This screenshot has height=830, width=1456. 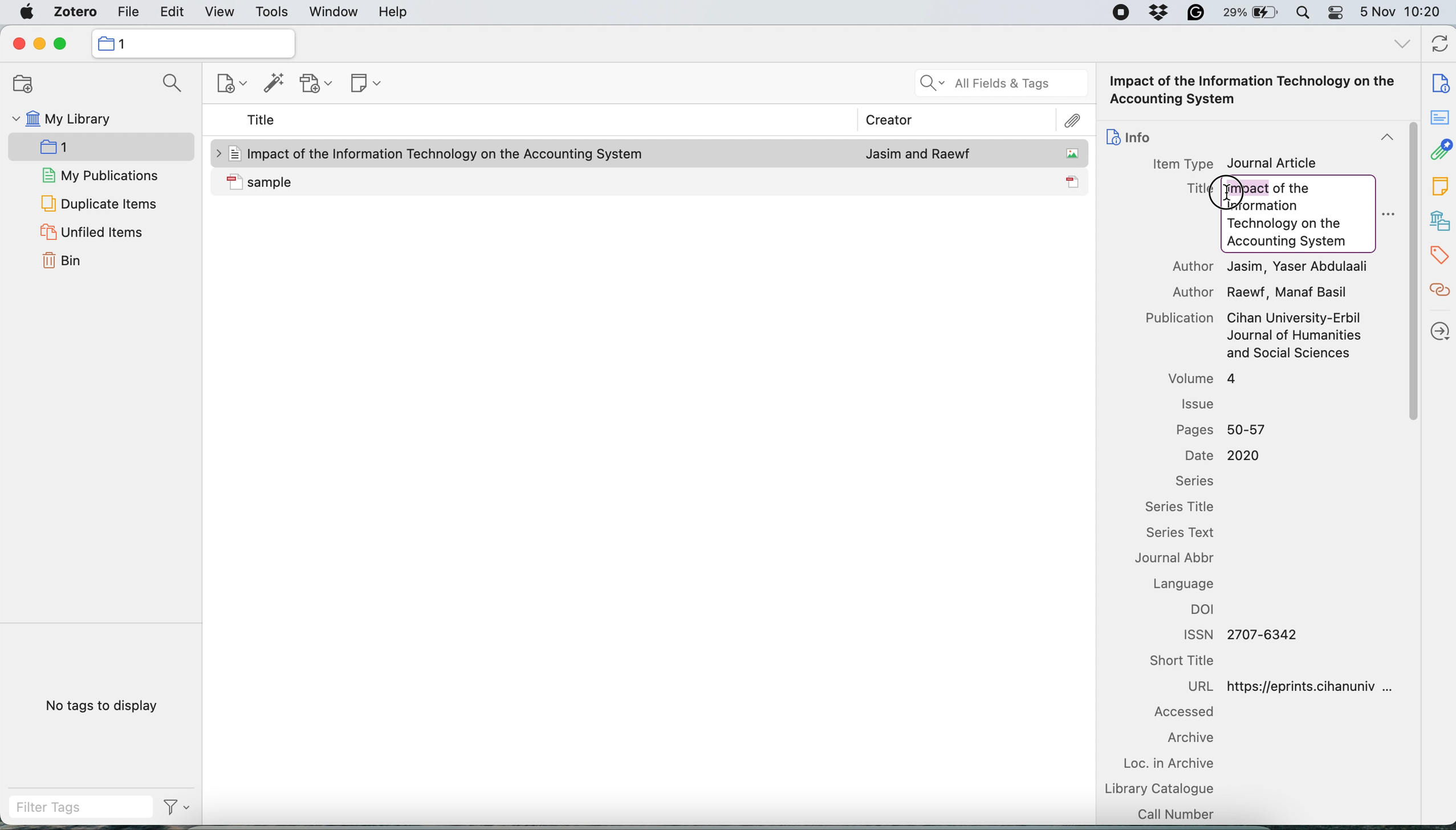 I want to click on icon, so click(x=234, y=181).